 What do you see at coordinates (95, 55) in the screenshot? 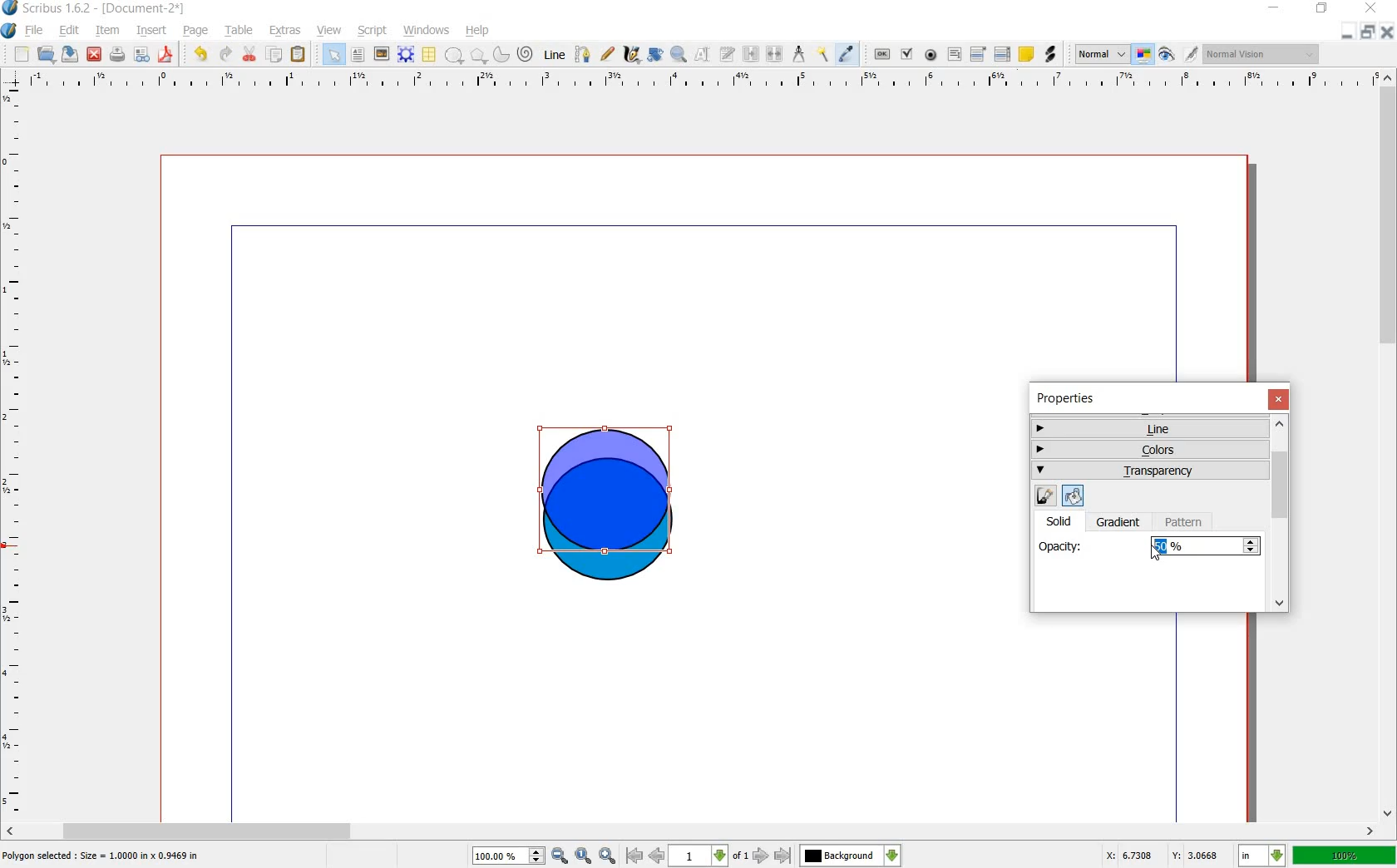
I see `close` at bounding box center [95, 55].